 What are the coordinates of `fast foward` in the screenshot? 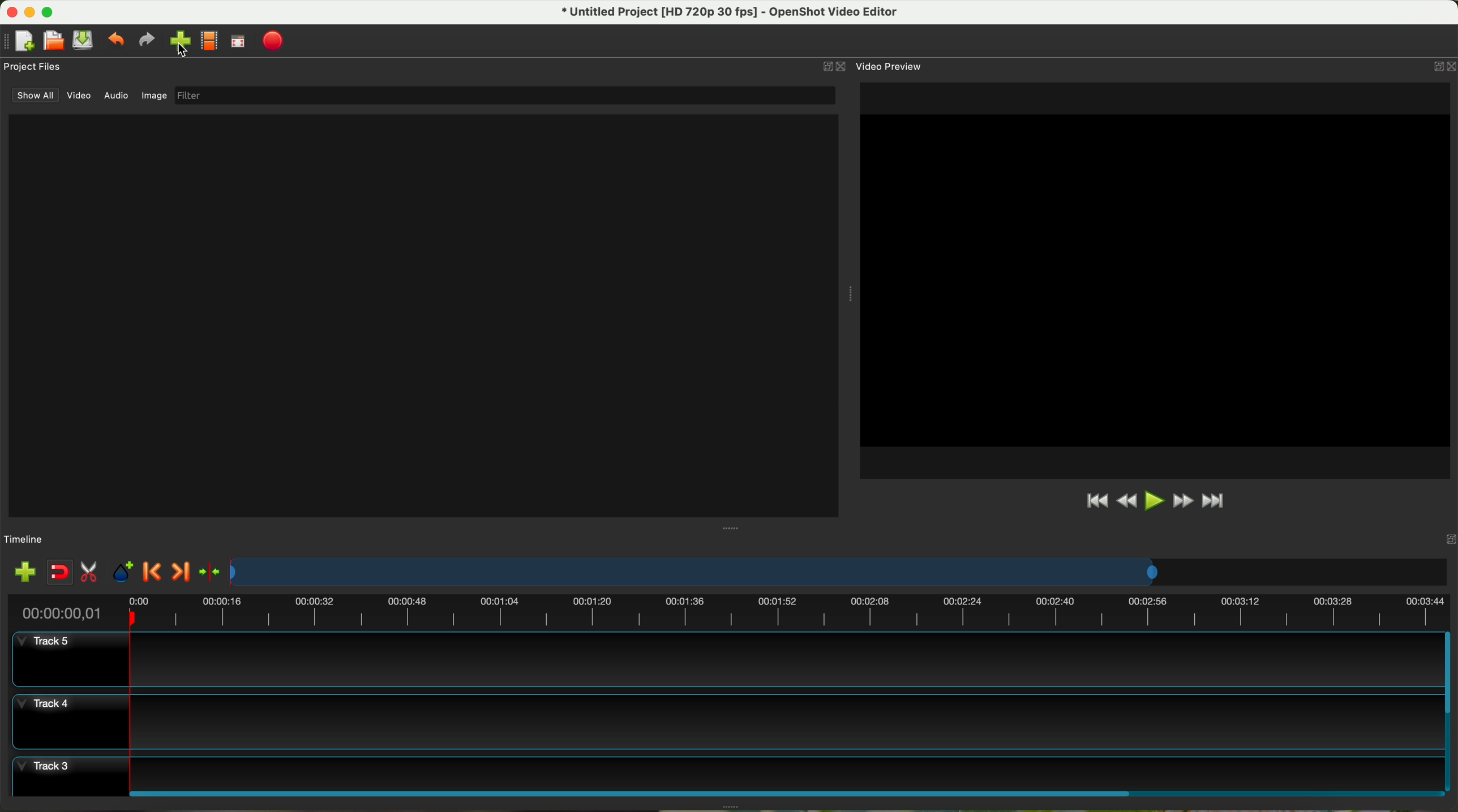 It's located at (1183, 501).